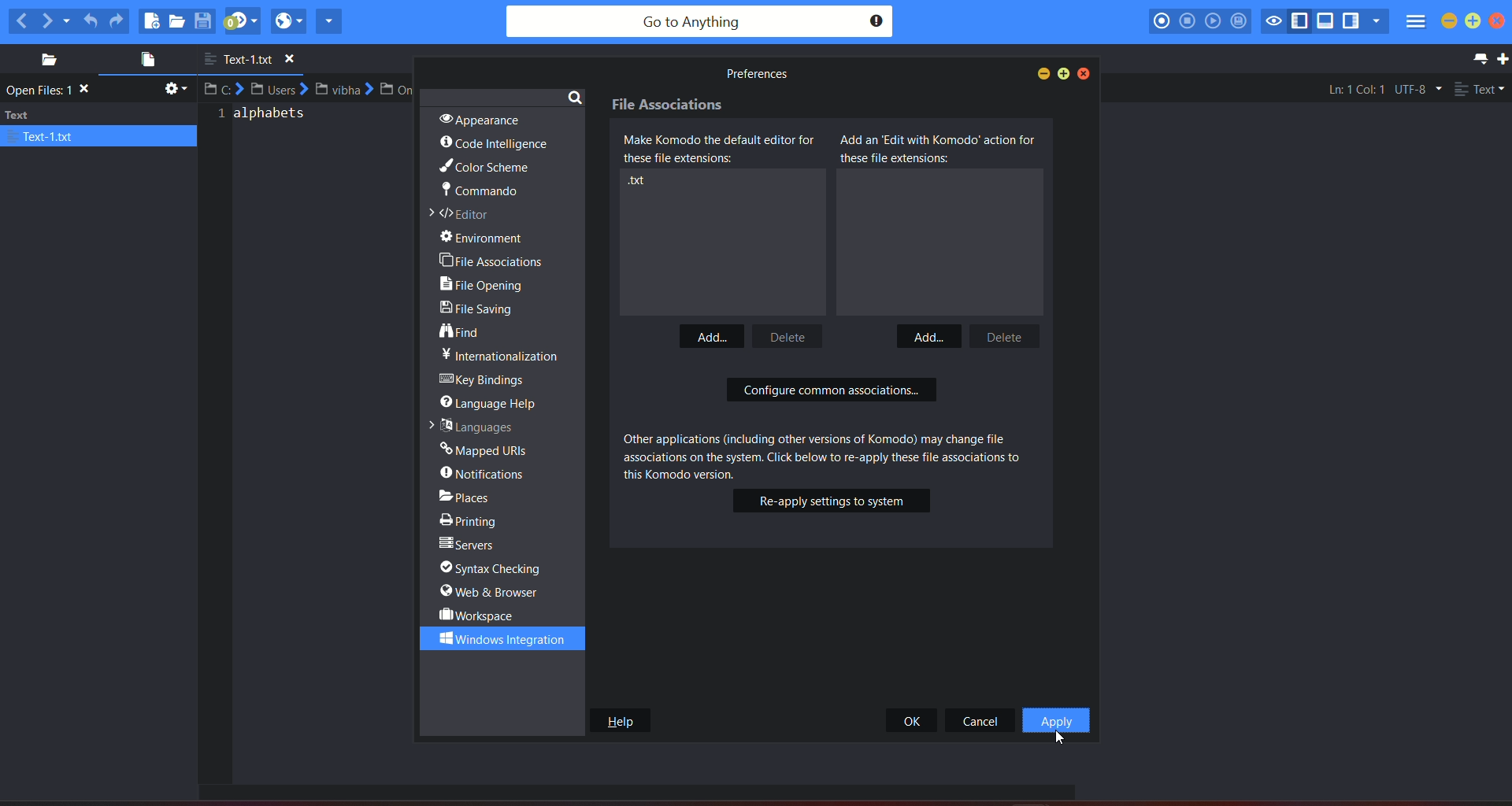 The image size is (1512, 806). What do you see at coordinates (491, 592) in the screenshot?
I see `web & browser` at bounding box center [491, 592].